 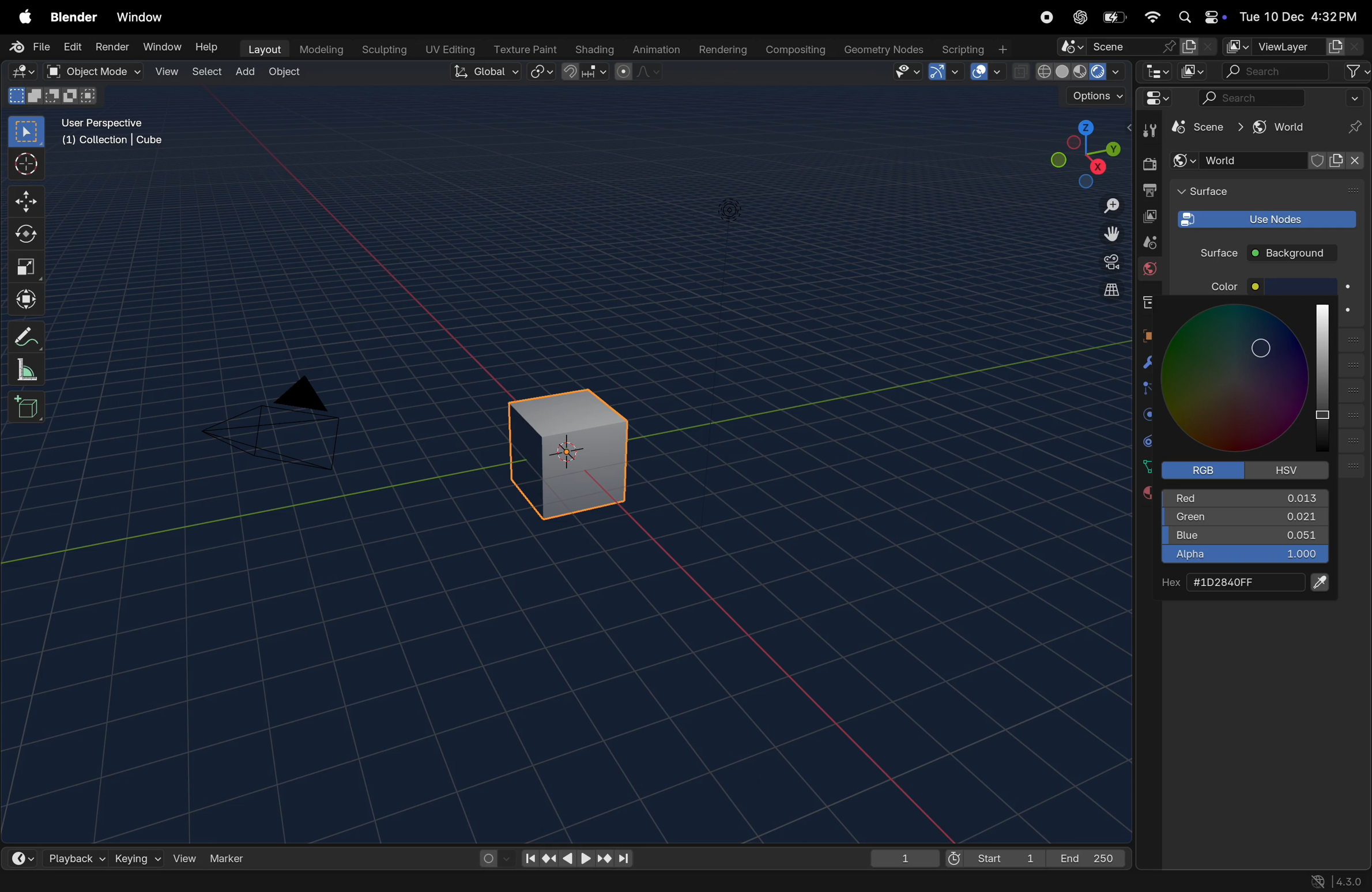 What do you see at coordinates (907, 72) in the screenshot?
I see `Visibility` at bounding box center [907, 72].